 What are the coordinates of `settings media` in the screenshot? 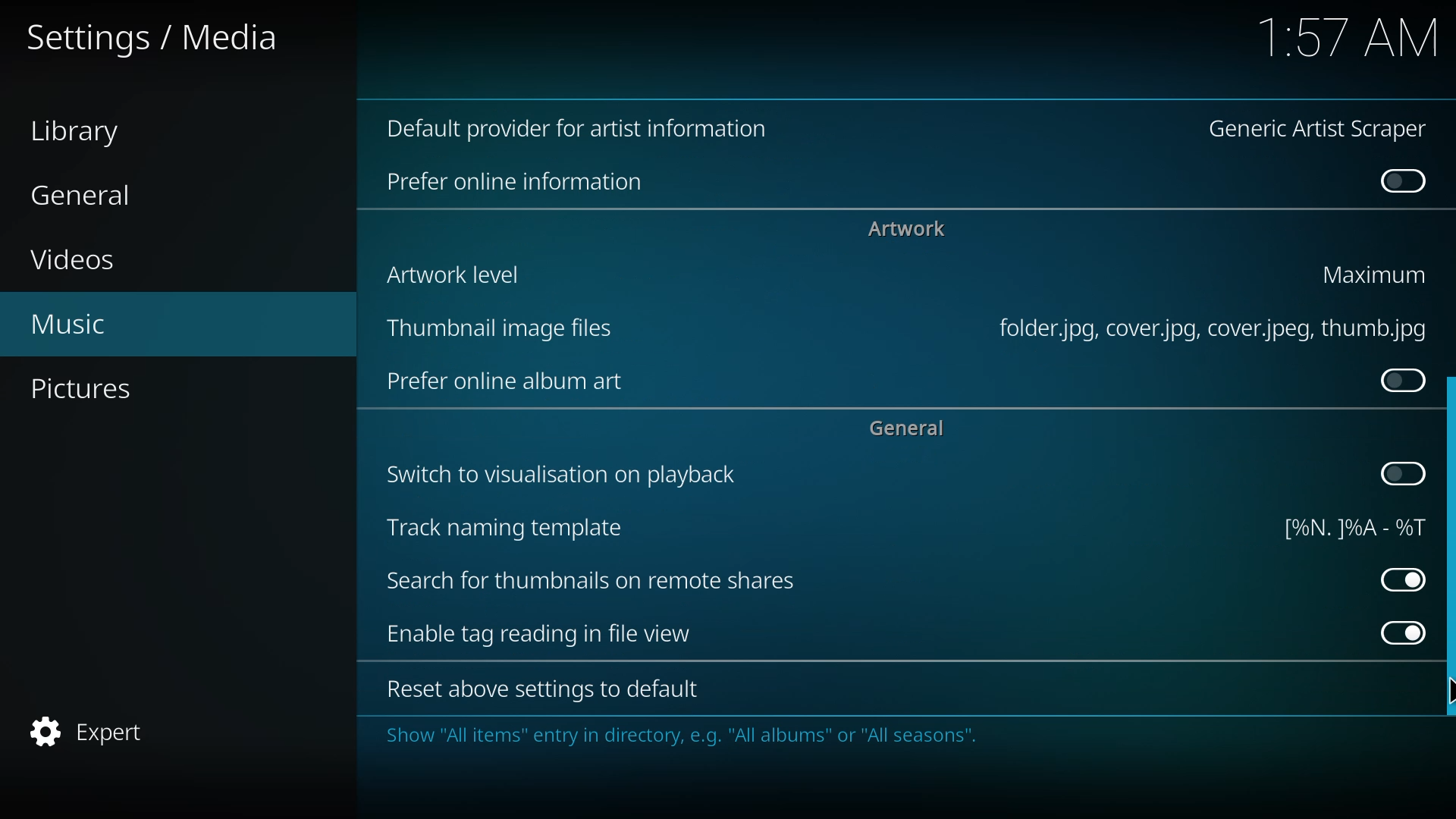 It's located at (161, 39).